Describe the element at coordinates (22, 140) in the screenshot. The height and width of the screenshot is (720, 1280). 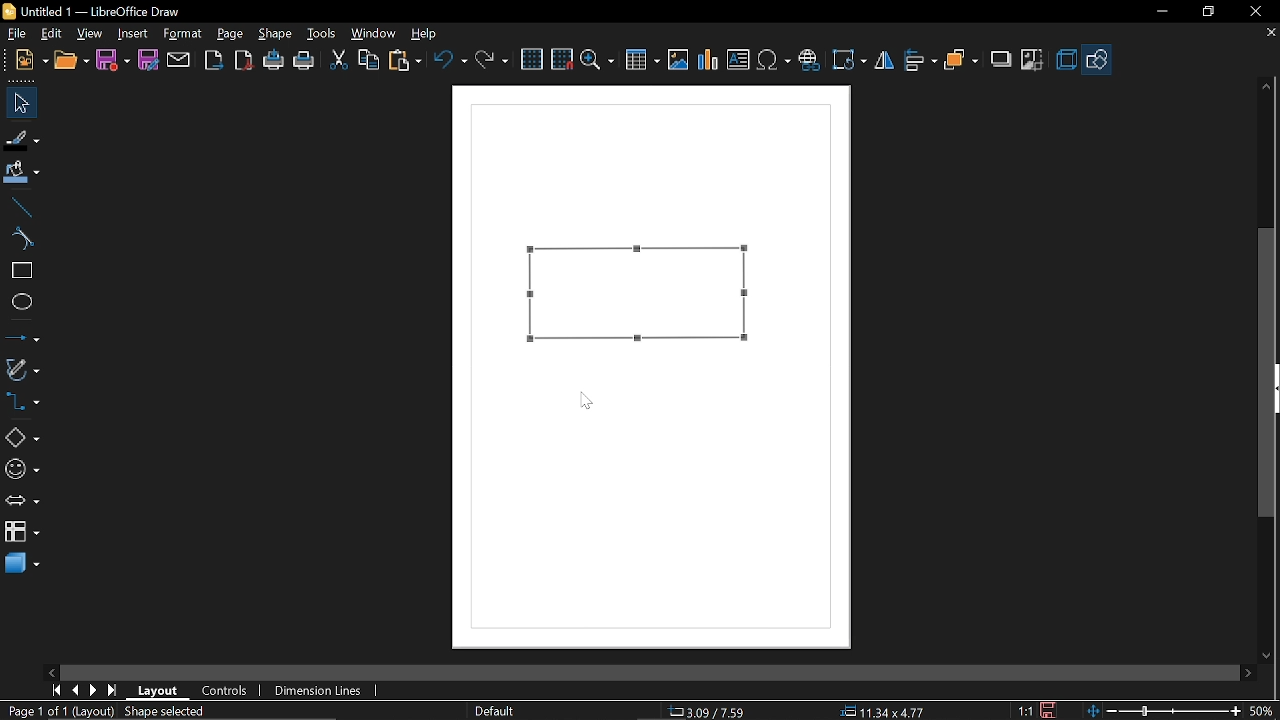
I see `fill line` at that location.